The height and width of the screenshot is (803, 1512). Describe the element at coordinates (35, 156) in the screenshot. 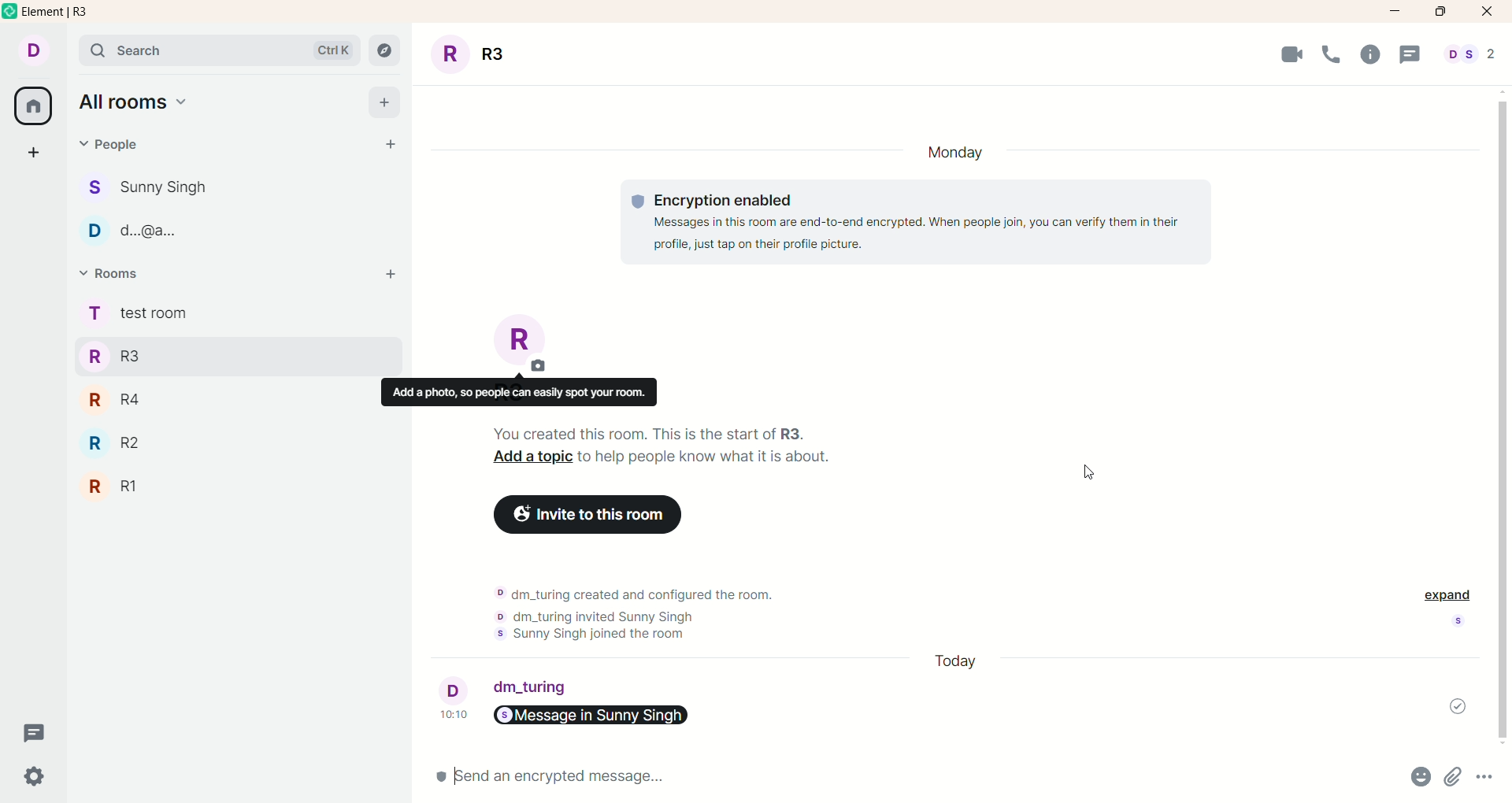

I see `create a space` at that location.